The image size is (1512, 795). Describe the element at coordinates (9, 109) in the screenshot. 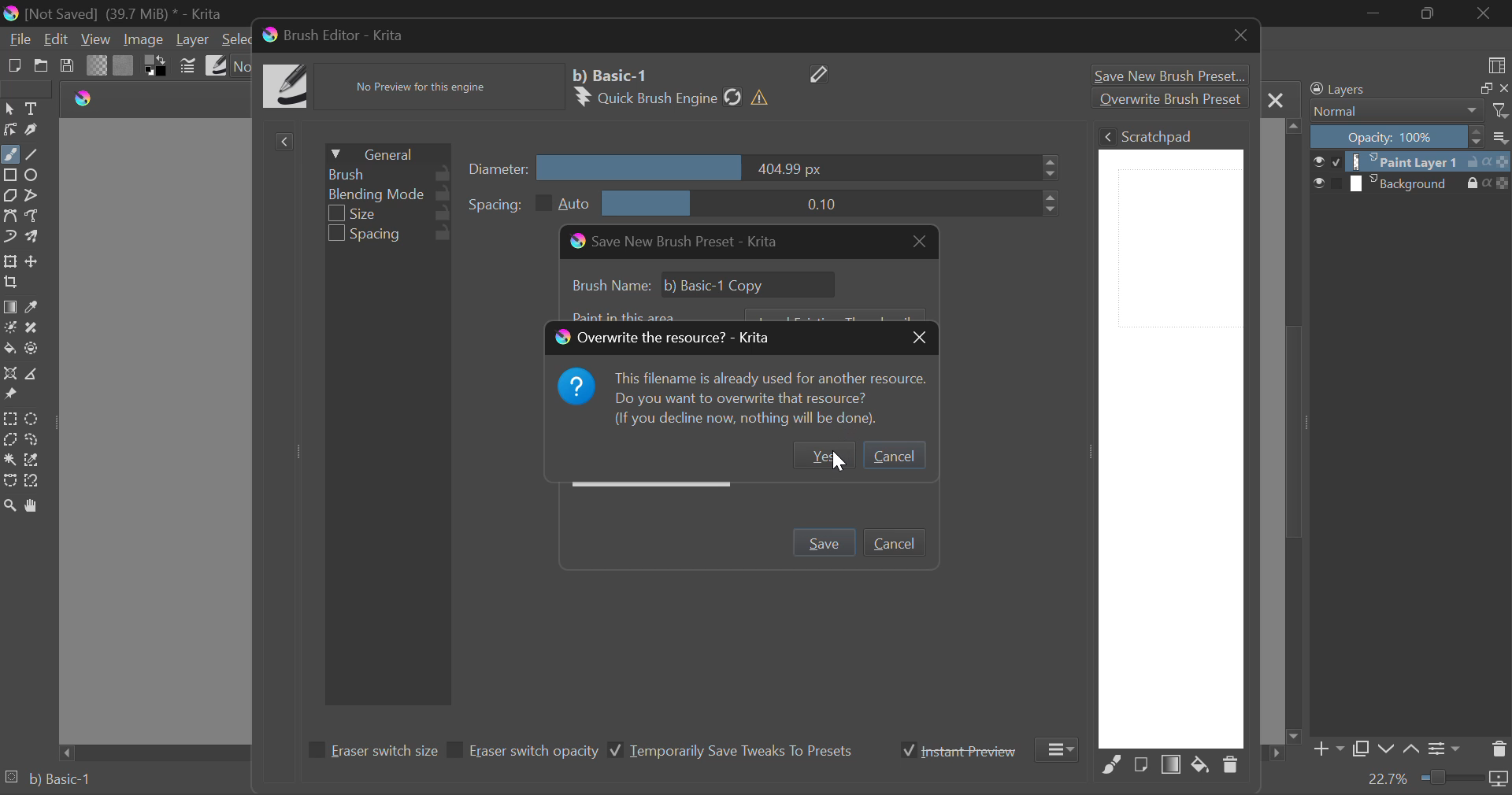

I see `Select` at that location.